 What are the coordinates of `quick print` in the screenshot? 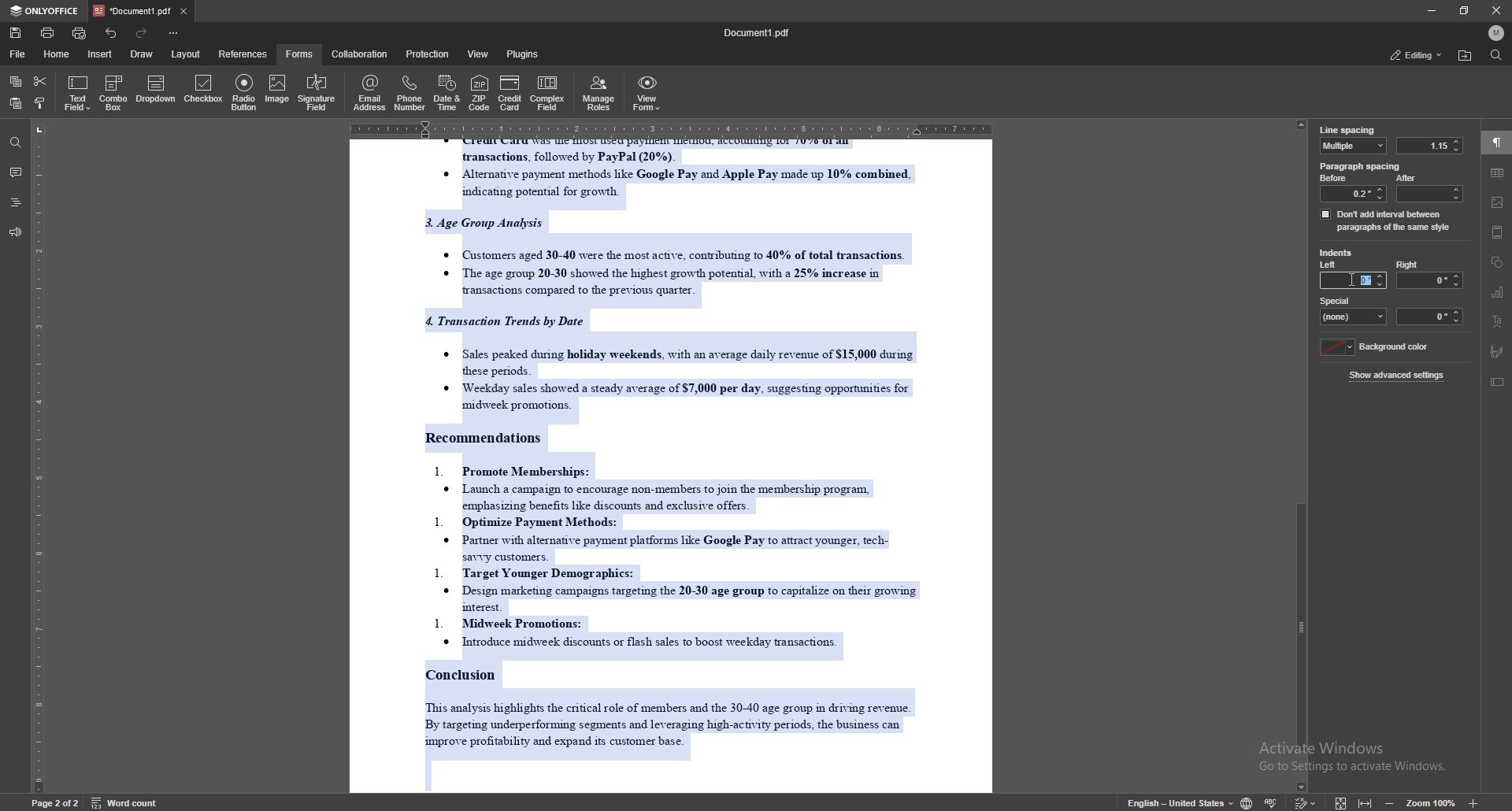 It's located at (81, 33).